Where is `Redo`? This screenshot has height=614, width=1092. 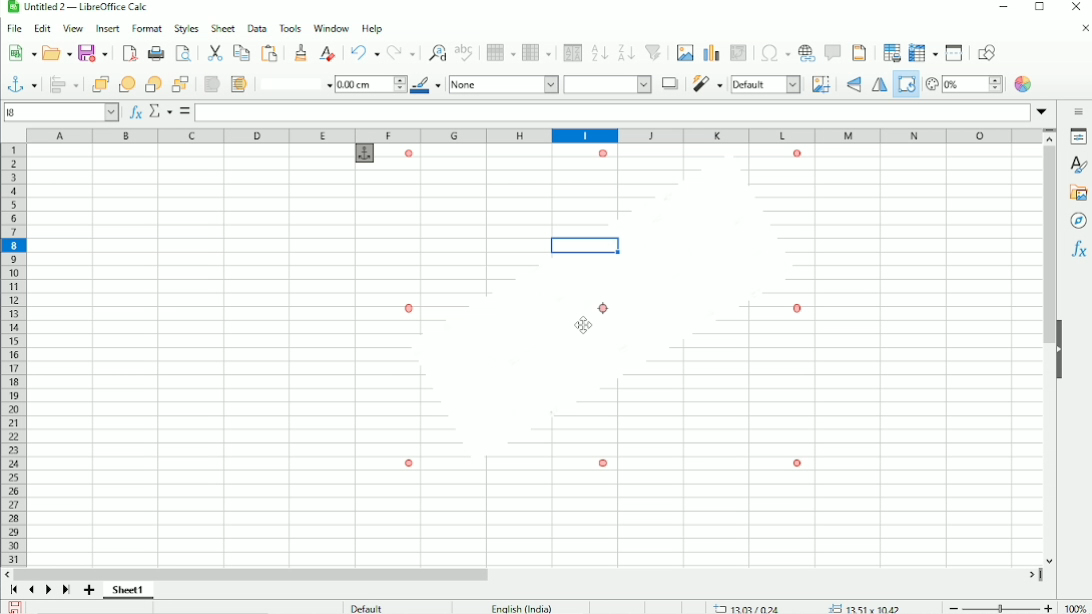
Redo is located at coordinates (401, 53).